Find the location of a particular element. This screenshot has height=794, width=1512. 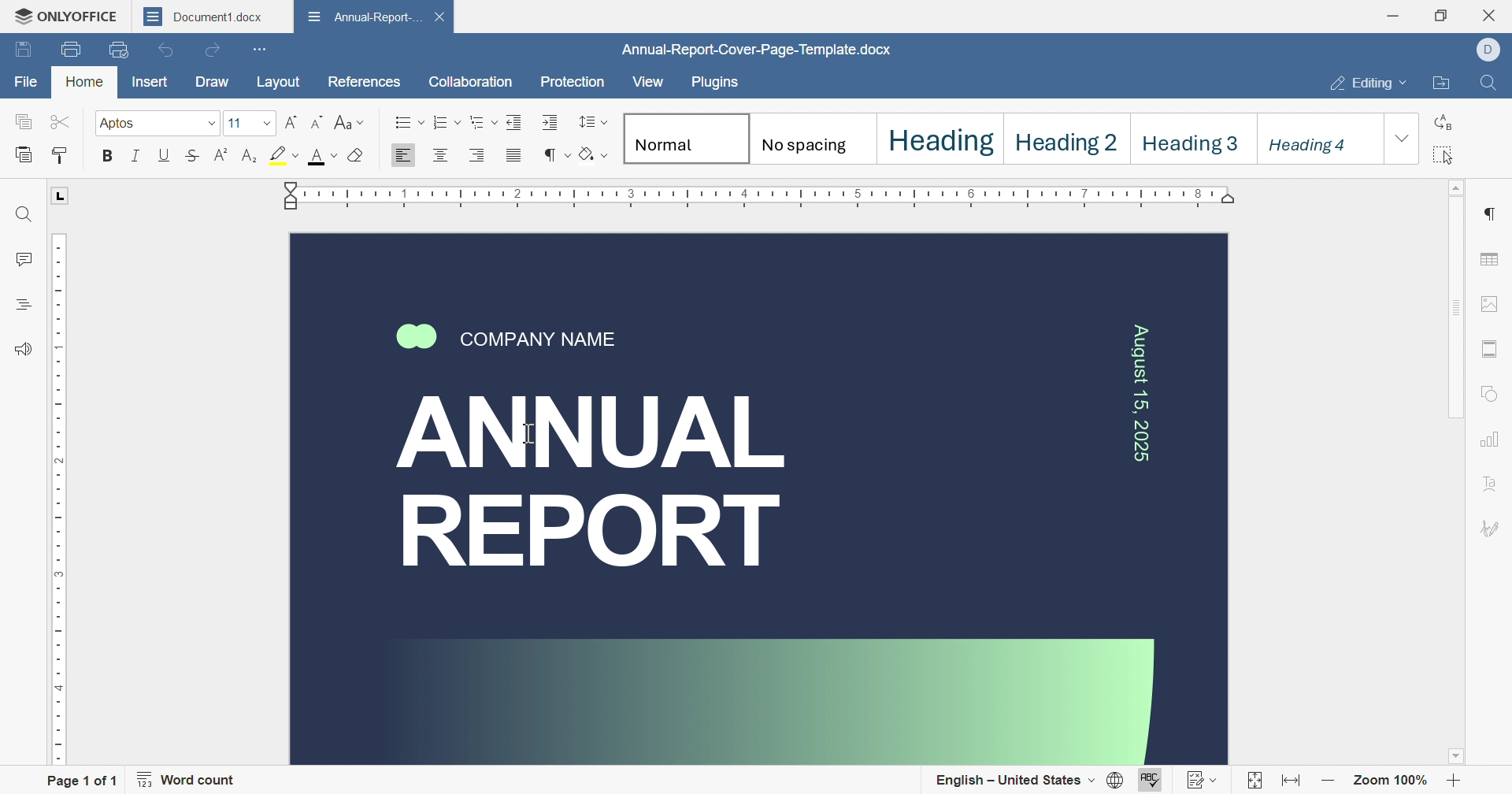

save is located at coordinates (22, 50).